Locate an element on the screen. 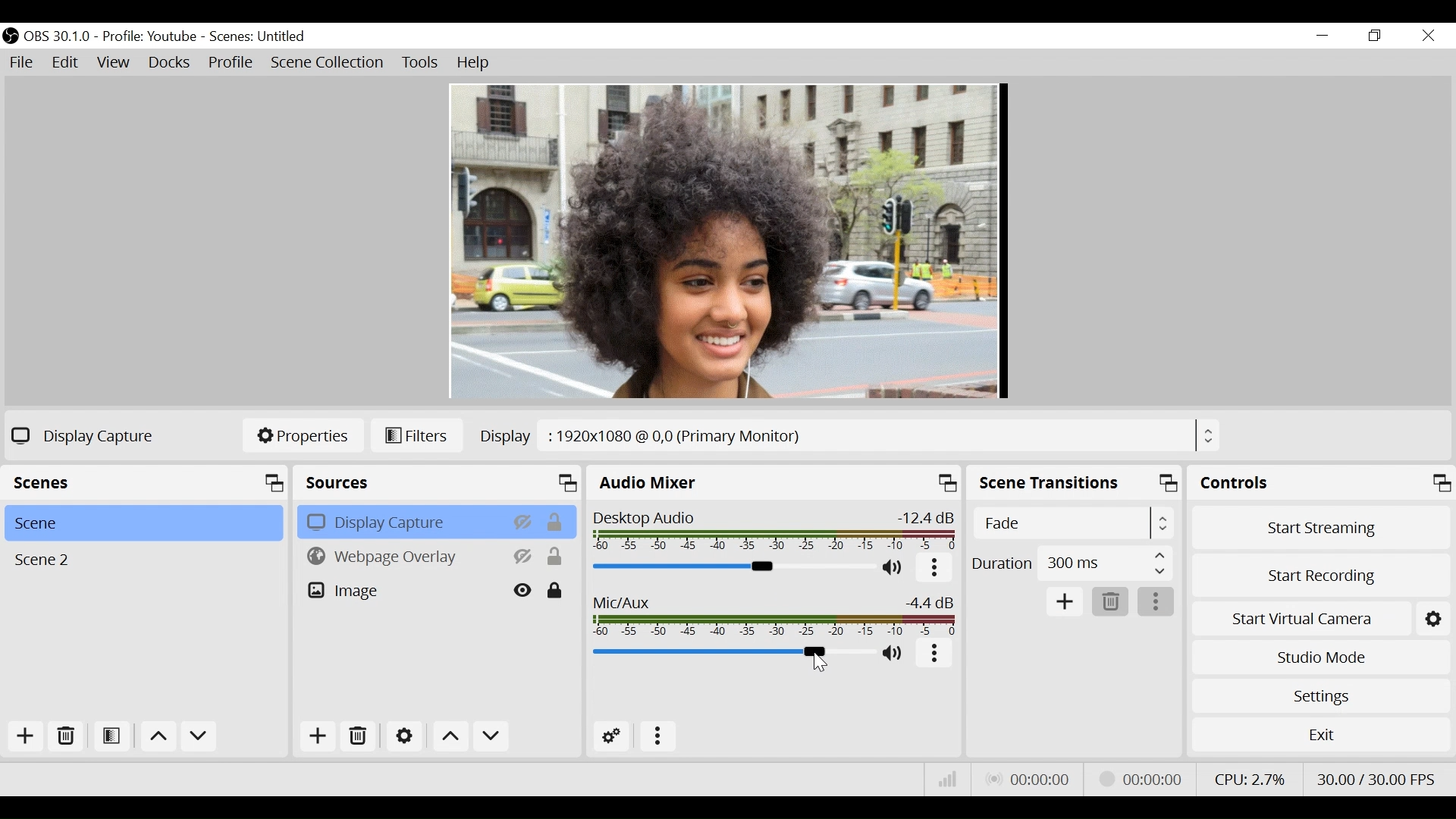 Image resolution: width=1456 pixels, height=819 pixels. (un)lock is located at coordinates (558, 522).